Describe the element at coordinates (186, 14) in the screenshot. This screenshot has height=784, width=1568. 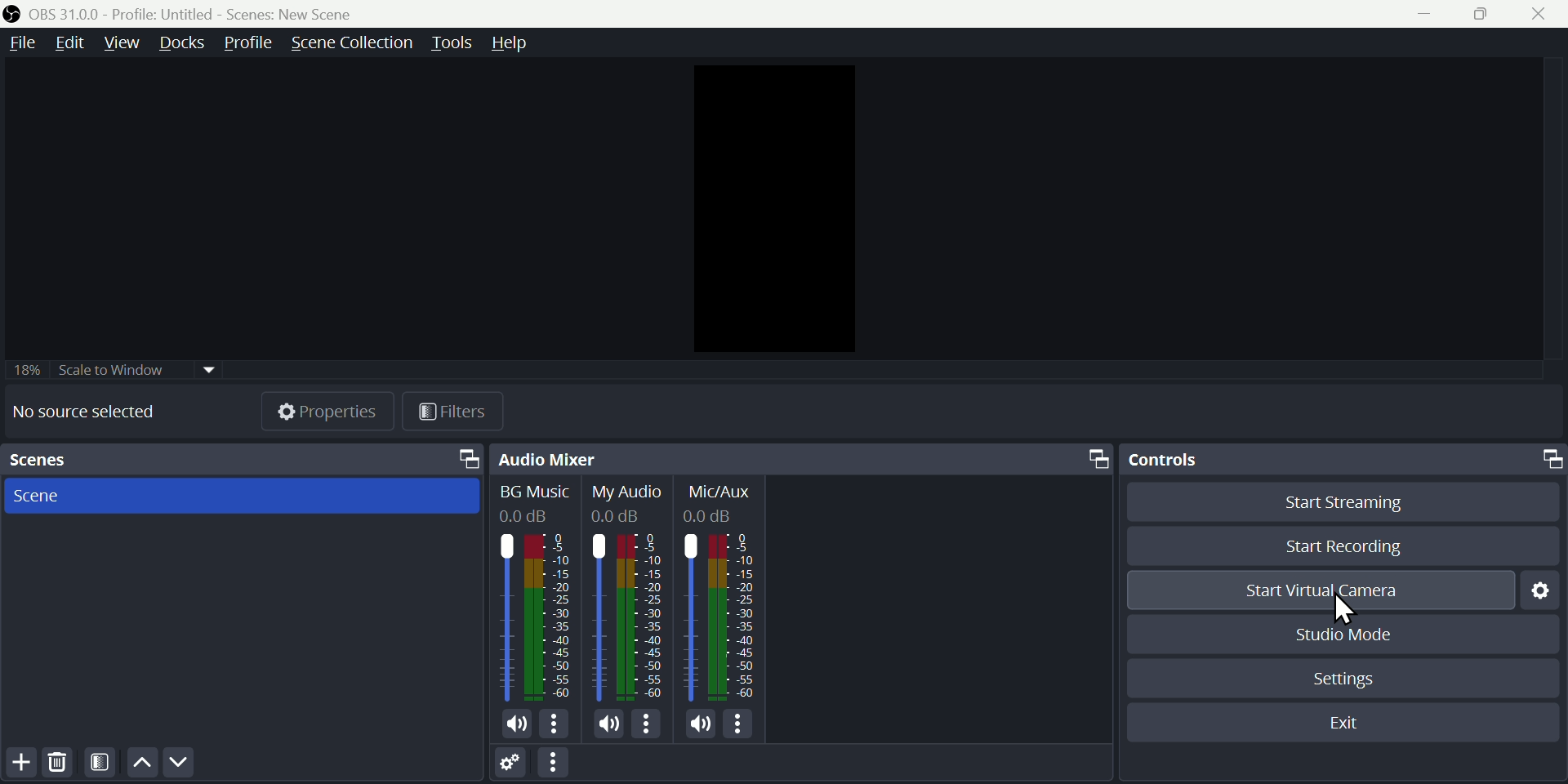
I see `OBS 31.0 .0 profile untitled scenes new scenes` at that location.